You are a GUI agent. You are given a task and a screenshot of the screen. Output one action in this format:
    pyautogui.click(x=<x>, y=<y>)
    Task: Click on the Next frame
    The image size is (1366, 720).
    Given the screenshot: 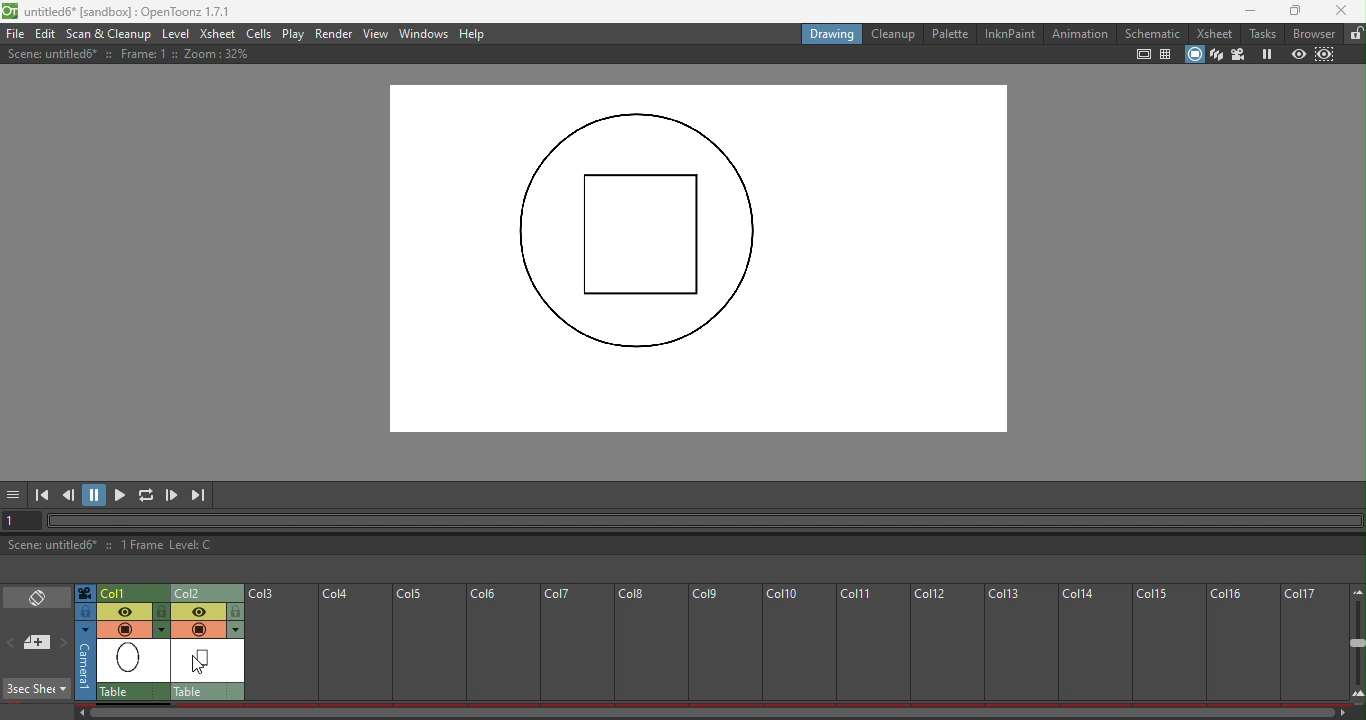 What is the action you would take?
    pyautogui.click(x=172, y=496)
    